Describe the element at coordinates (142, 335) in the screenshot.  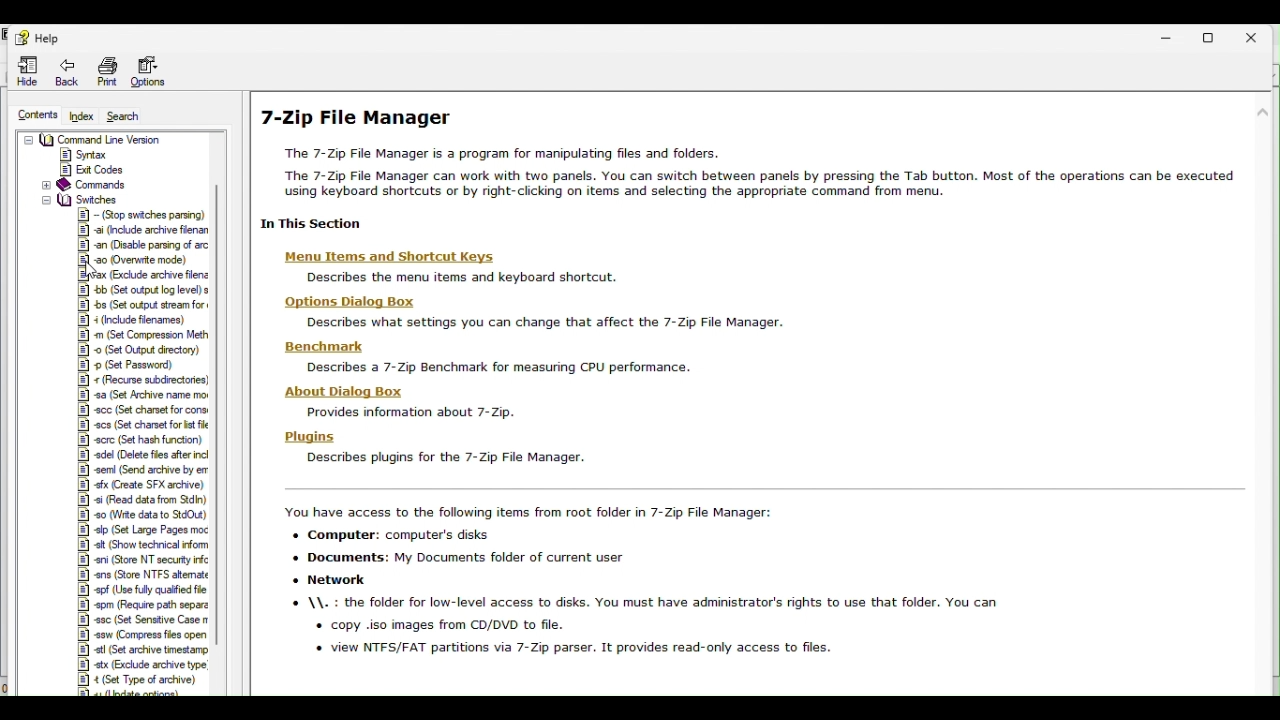
I see `|&] m (Set Compression Meth` at that location.